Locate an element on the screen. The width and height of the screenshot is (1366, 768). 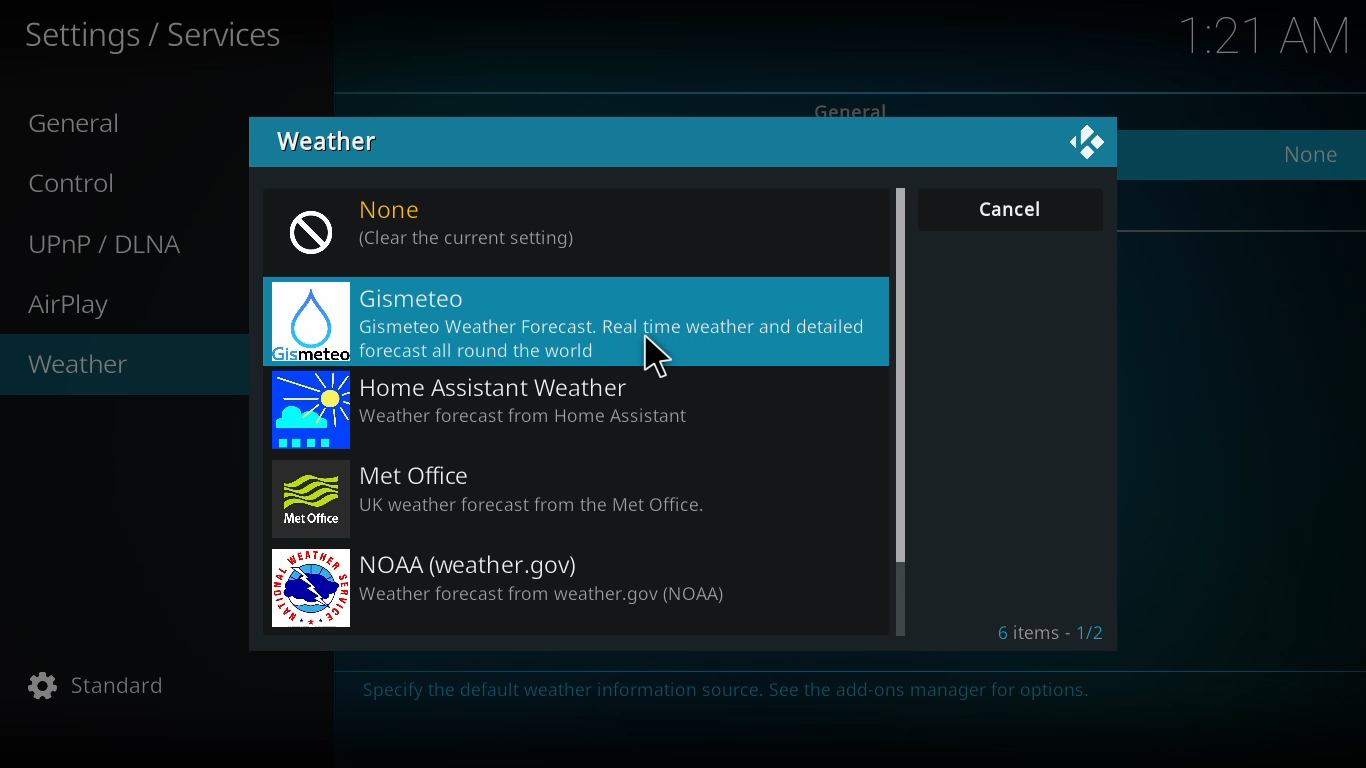
general is located at coordinates (83, 124).